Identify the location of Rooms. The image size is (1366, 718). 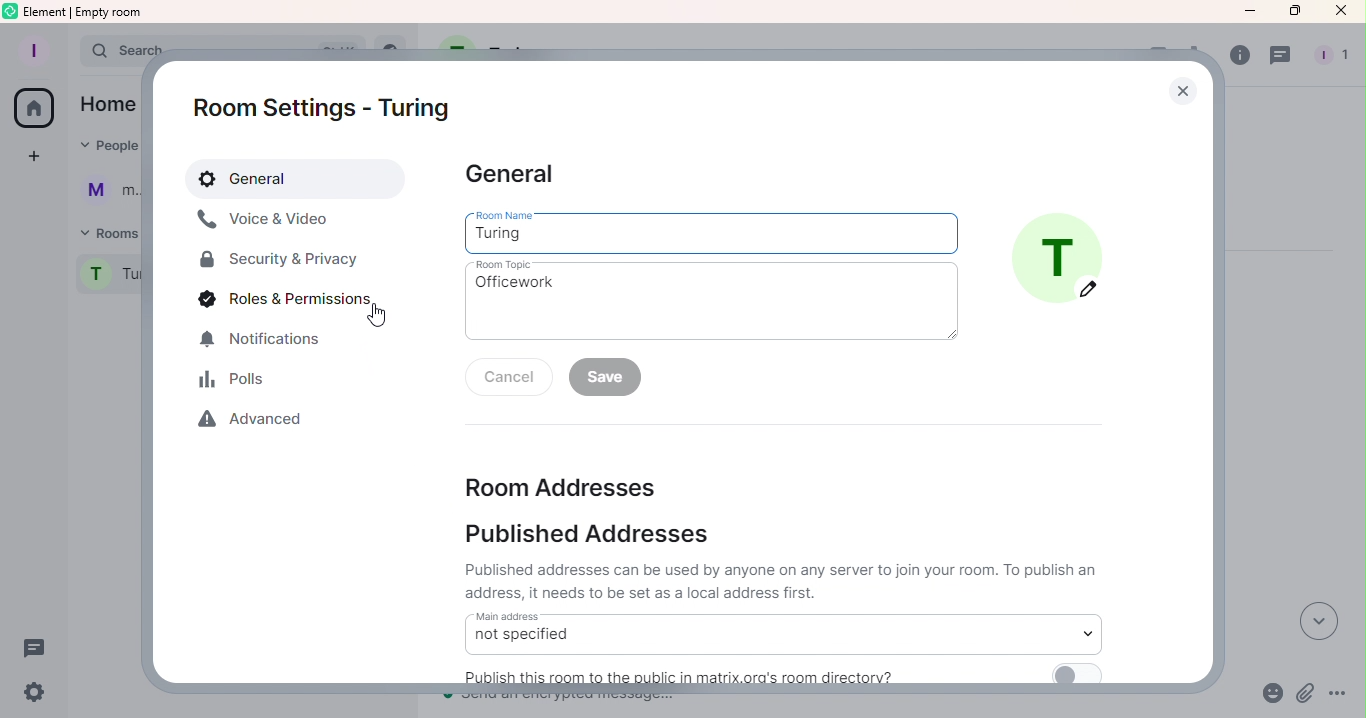
(107, 230).